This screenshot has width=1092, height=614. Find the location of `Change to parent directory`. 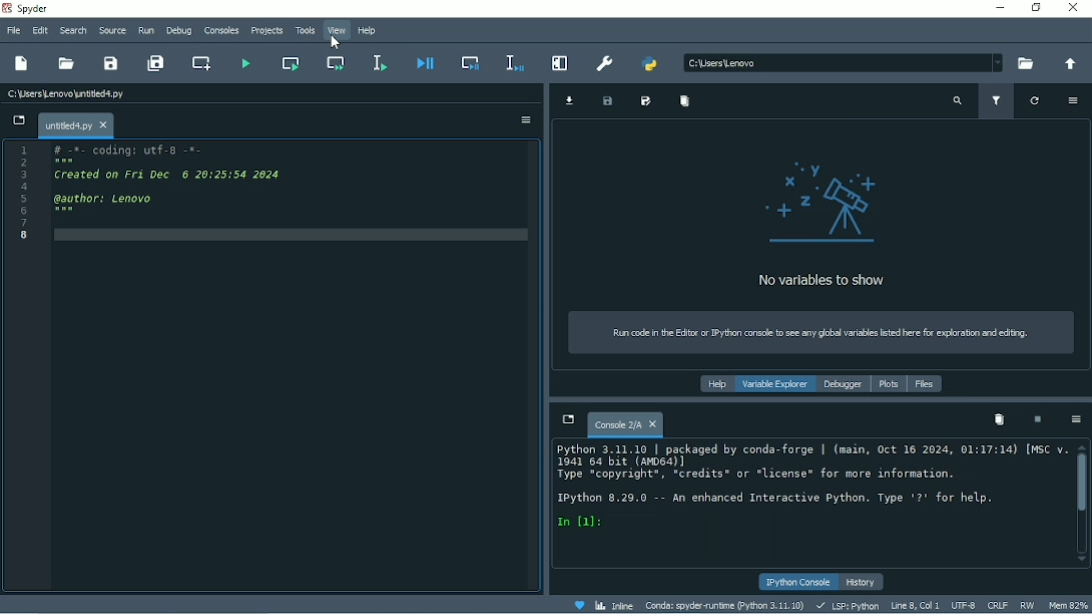

Change to parent directory is located at coordinates (1070, 64).